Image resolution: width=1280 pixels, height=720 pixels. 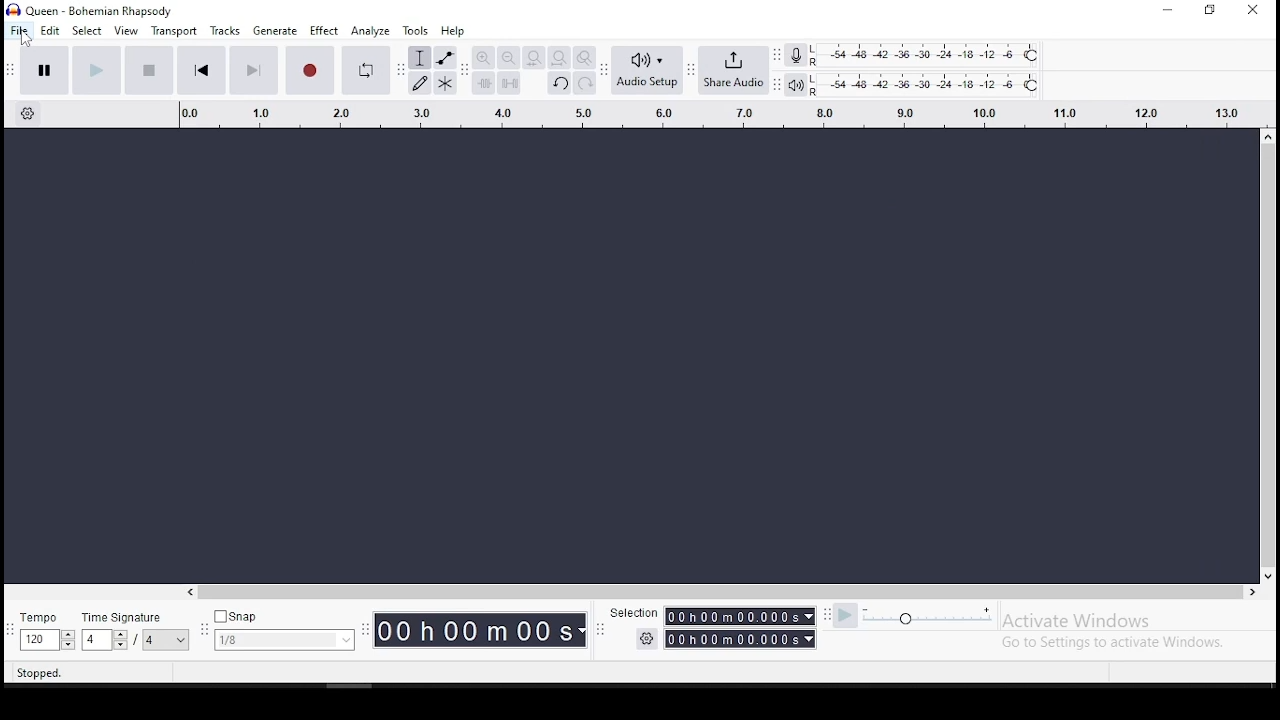 I want to click on edit, so click(x=50, y=31).